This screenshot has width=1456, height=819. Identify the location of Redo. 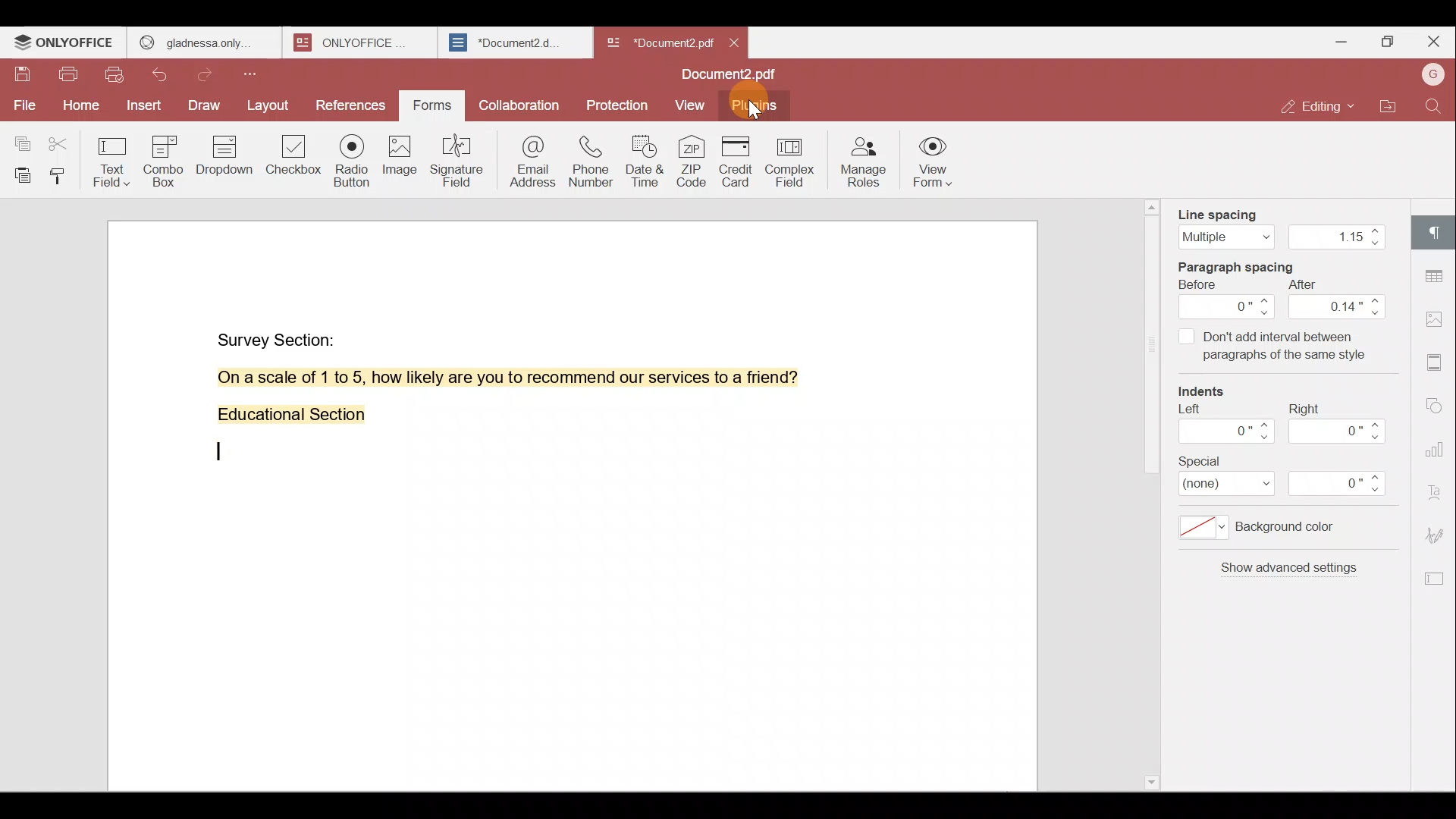
(209, 75).